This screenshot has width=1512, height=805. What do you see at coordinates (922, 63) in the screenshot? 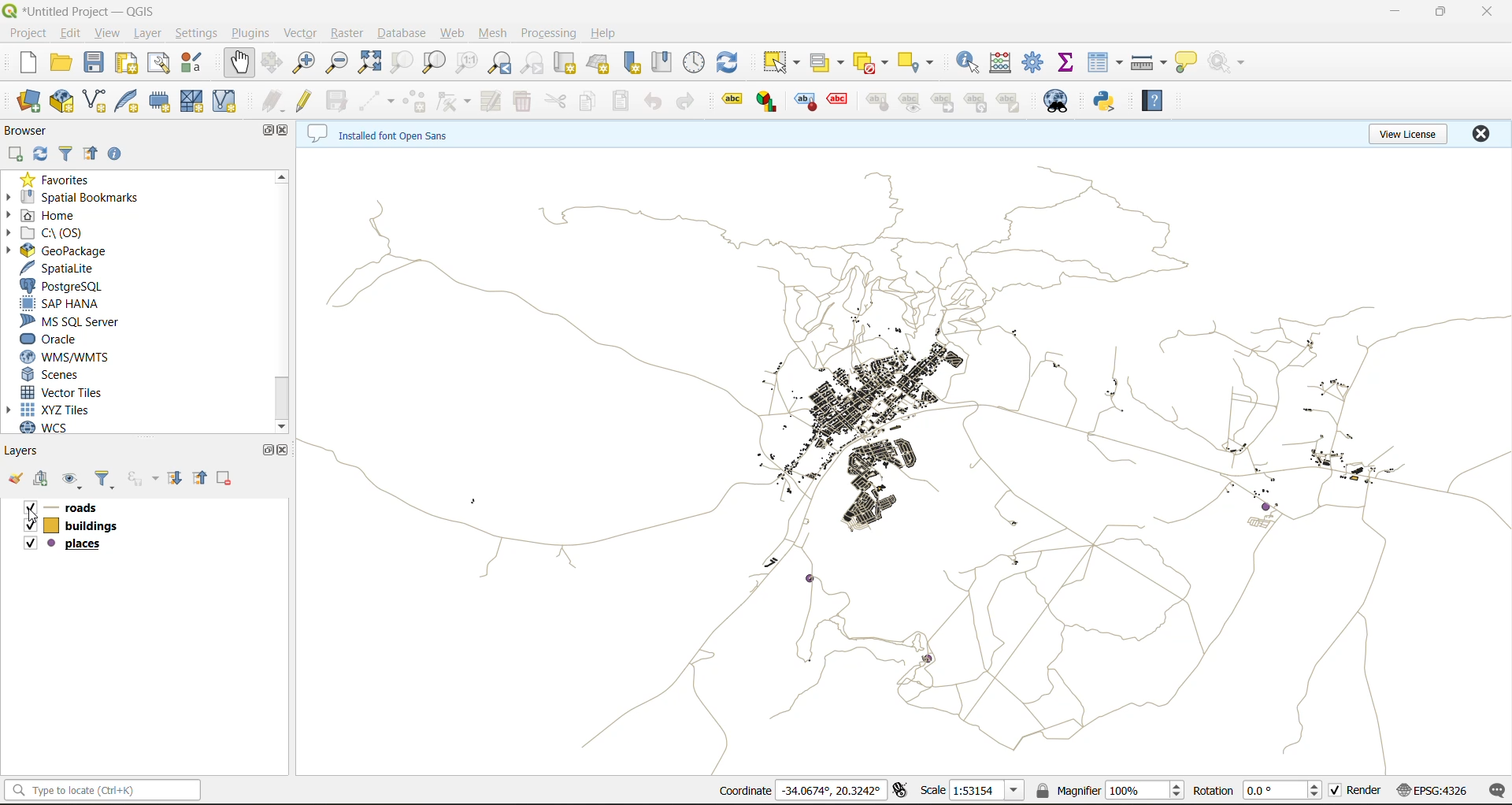
I see `select location` at bounding box center [922, 63].